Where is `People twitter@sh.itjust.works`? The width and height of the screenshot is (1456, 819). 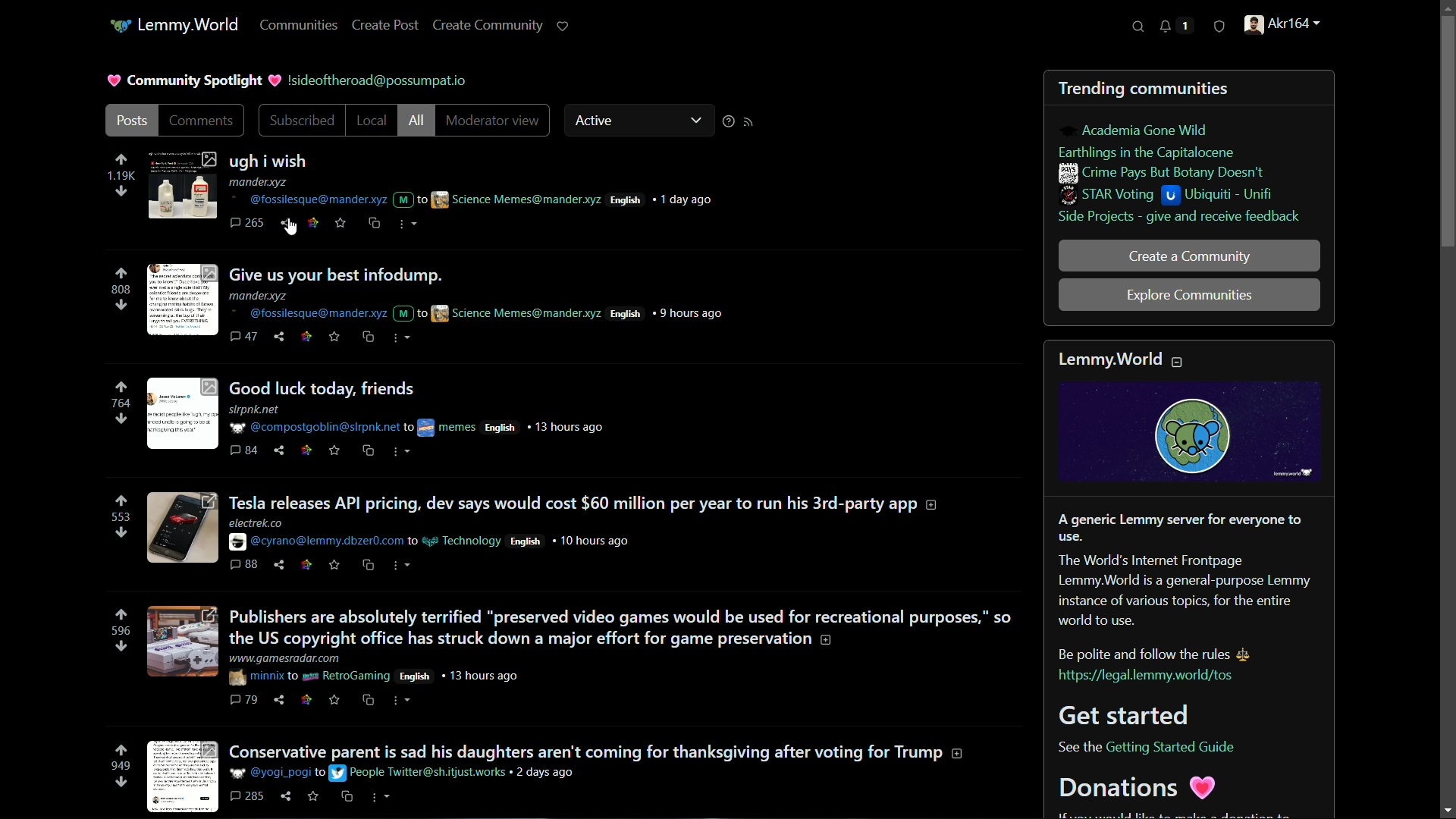 People twitter@sh.itjust.works is located at coordinates (420, 773).